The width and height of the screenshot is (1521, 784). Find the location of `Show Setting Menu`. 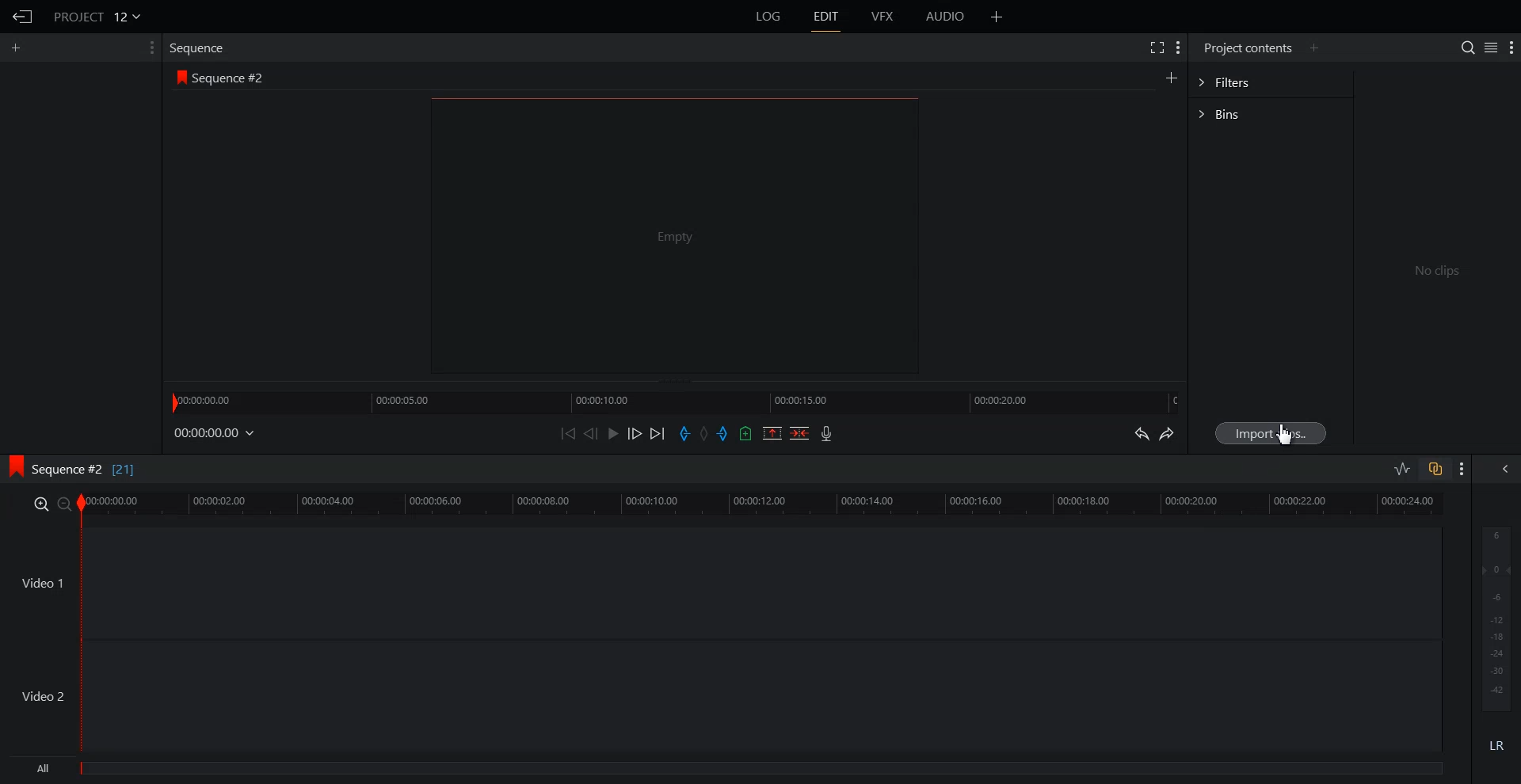

Show Setting Menu is located at coordinates (1511, 48).